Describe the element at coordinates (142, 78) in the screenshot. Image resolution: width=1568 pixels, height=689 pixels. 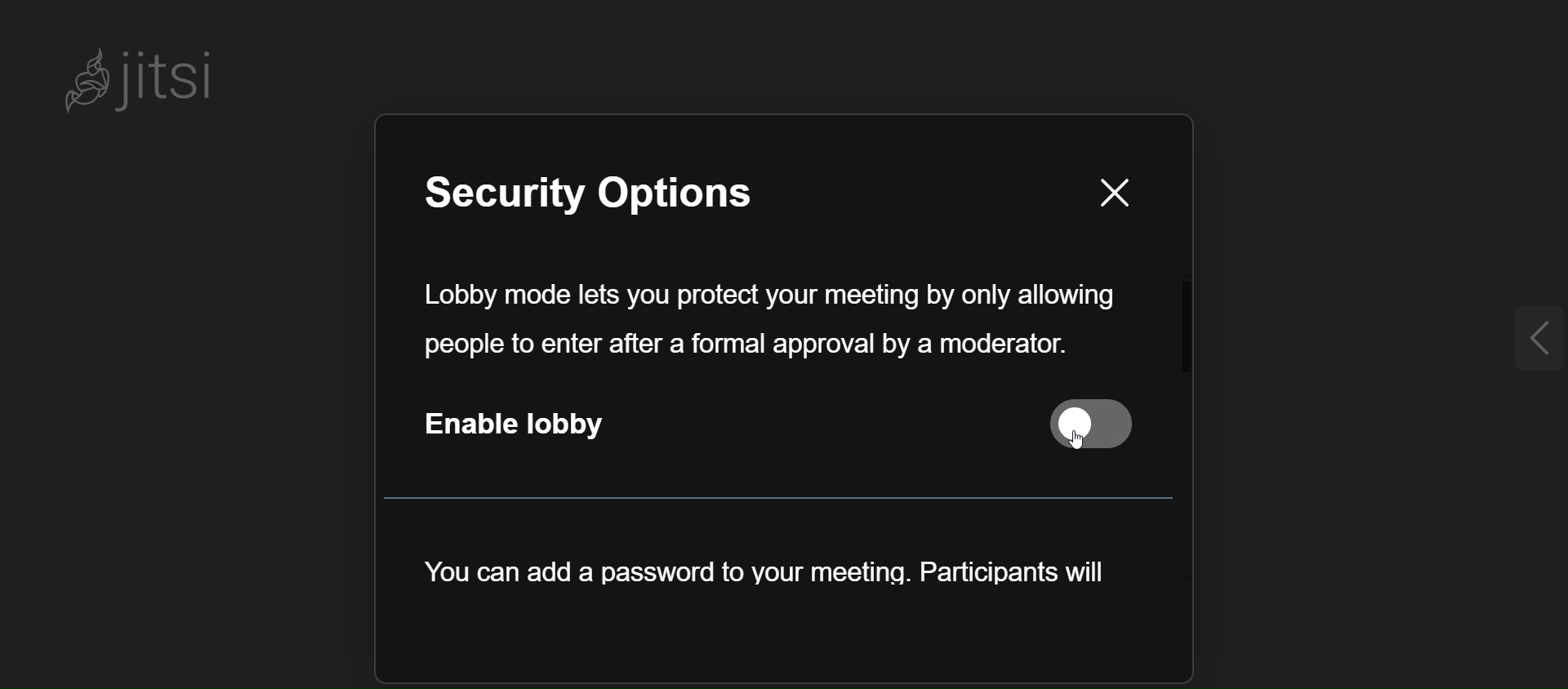
I see `Jitsi` at that location.